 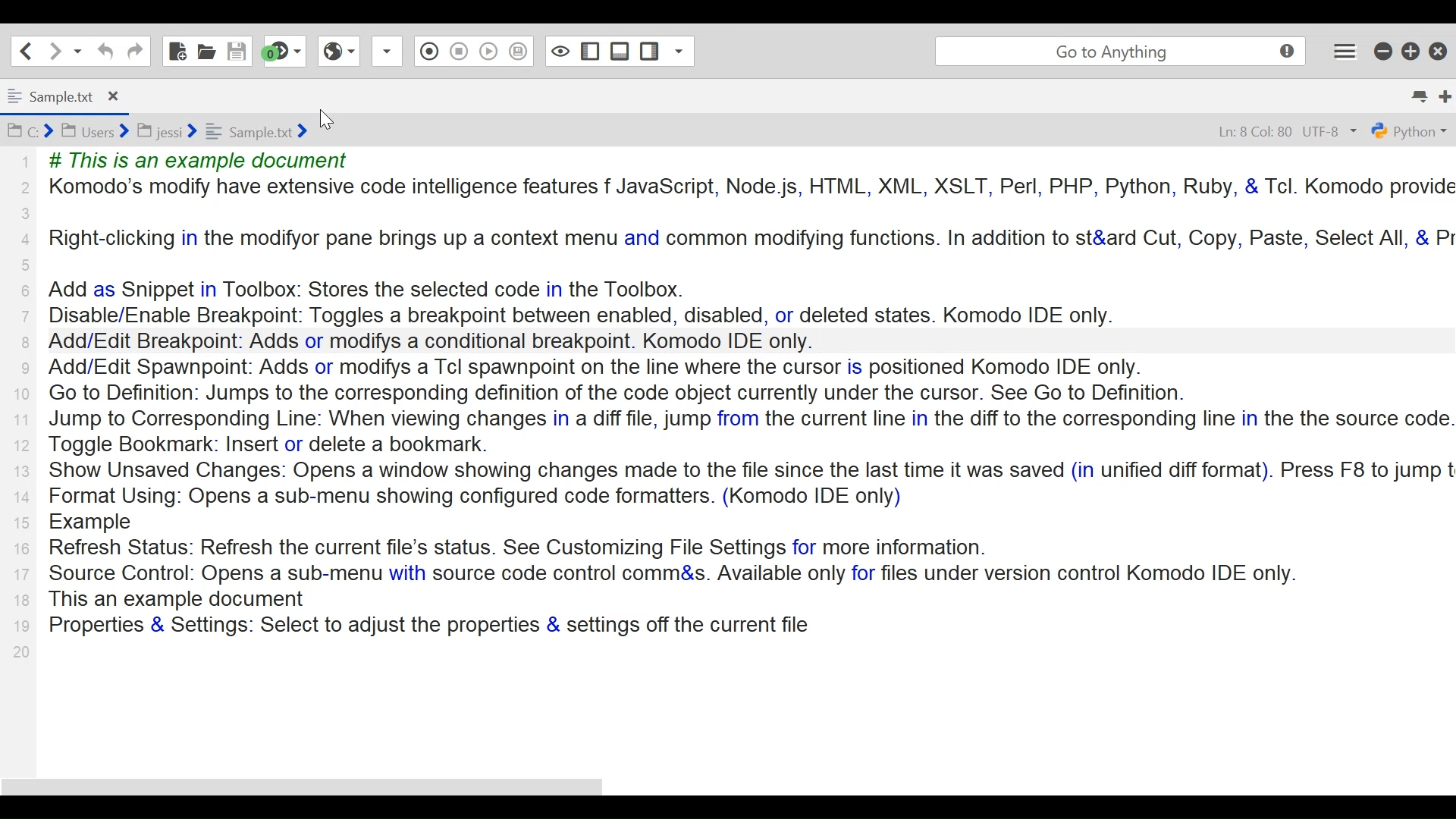 What do you see at coordinates (28, 130) in the screenshot?
I see `C Folder` at bounding box center [28, 130].